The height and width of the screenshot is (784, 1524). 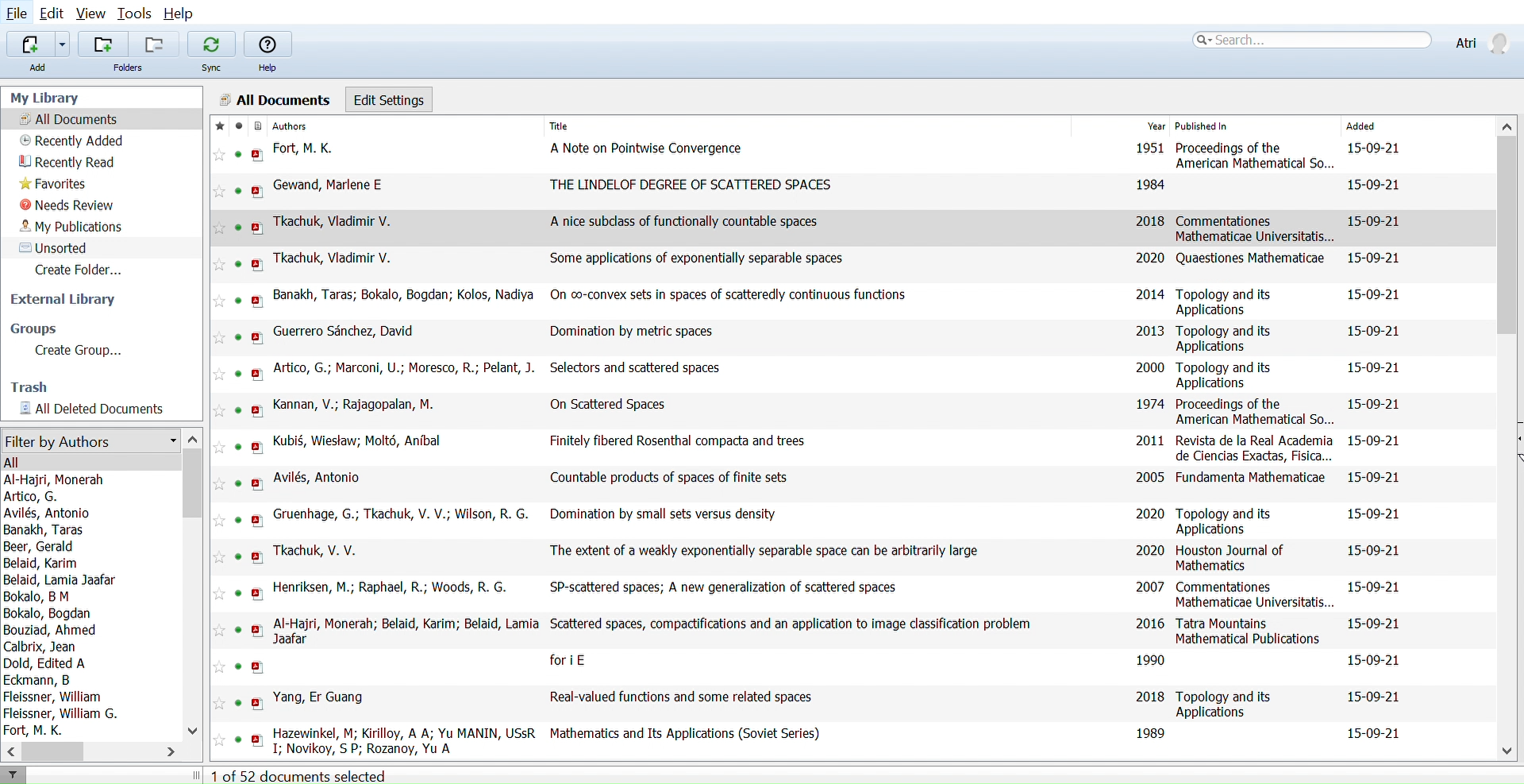 What do you see at coordinates (1371, 329) in the screenshot?
I see `15-09-21` at bounding box center [1371, 329].